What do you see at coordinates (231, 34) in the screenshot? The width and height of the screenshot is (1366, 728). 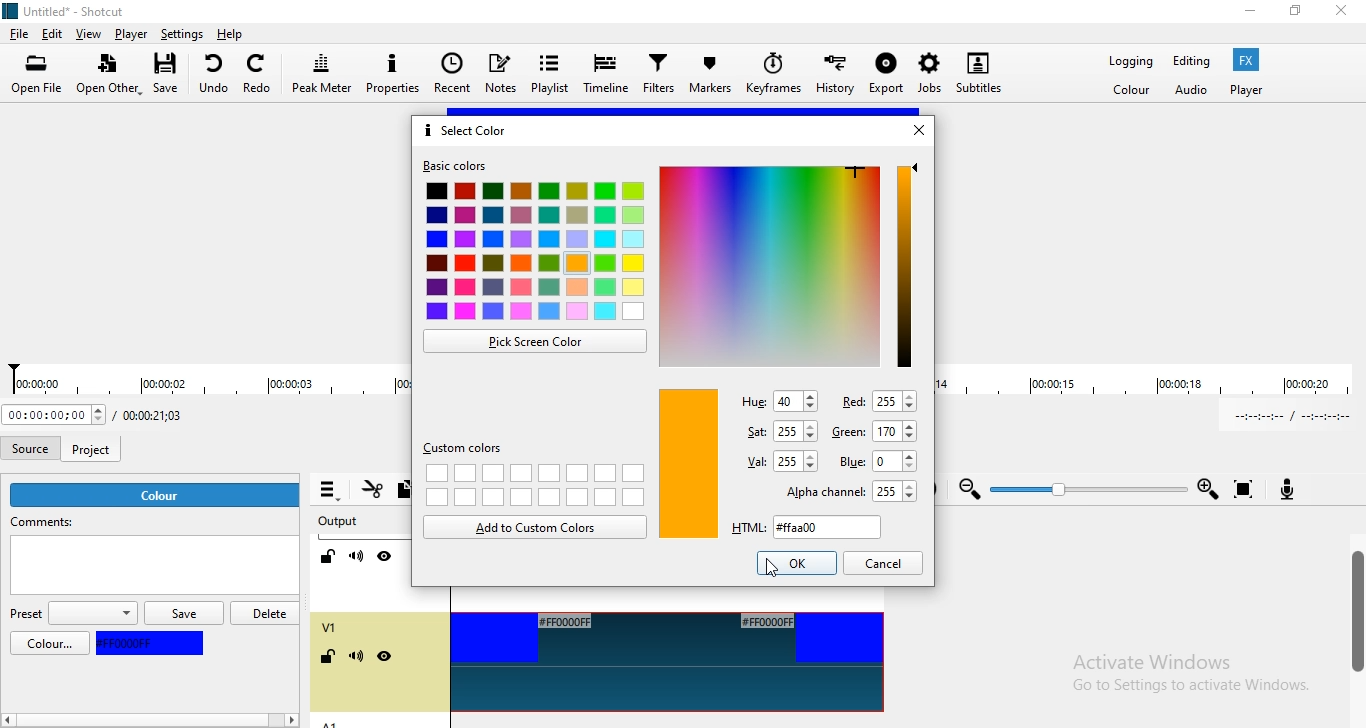 I see `help` at bounding box center [231, 34].